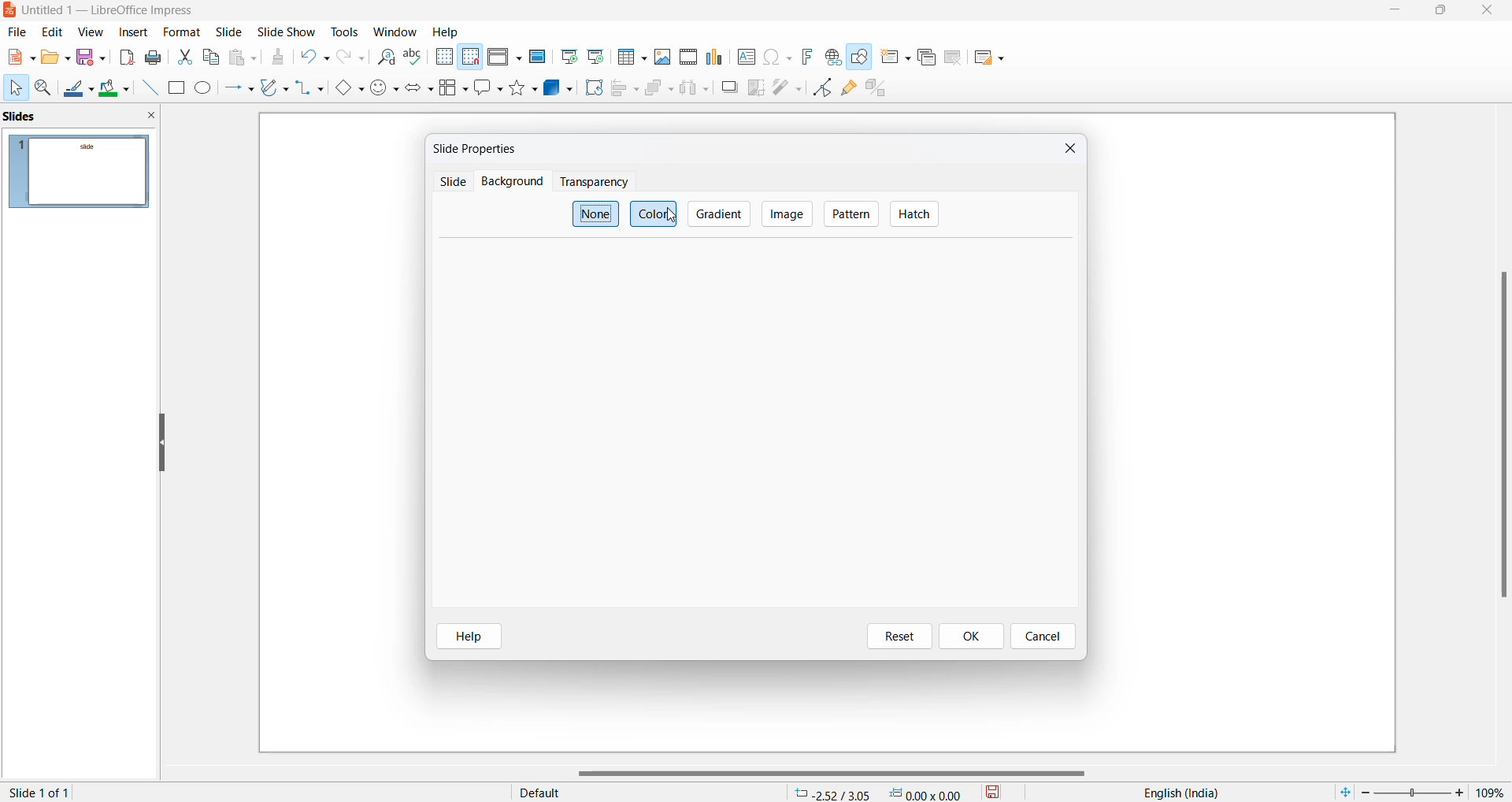  I want to click on line and arrows , so click(239, 89).